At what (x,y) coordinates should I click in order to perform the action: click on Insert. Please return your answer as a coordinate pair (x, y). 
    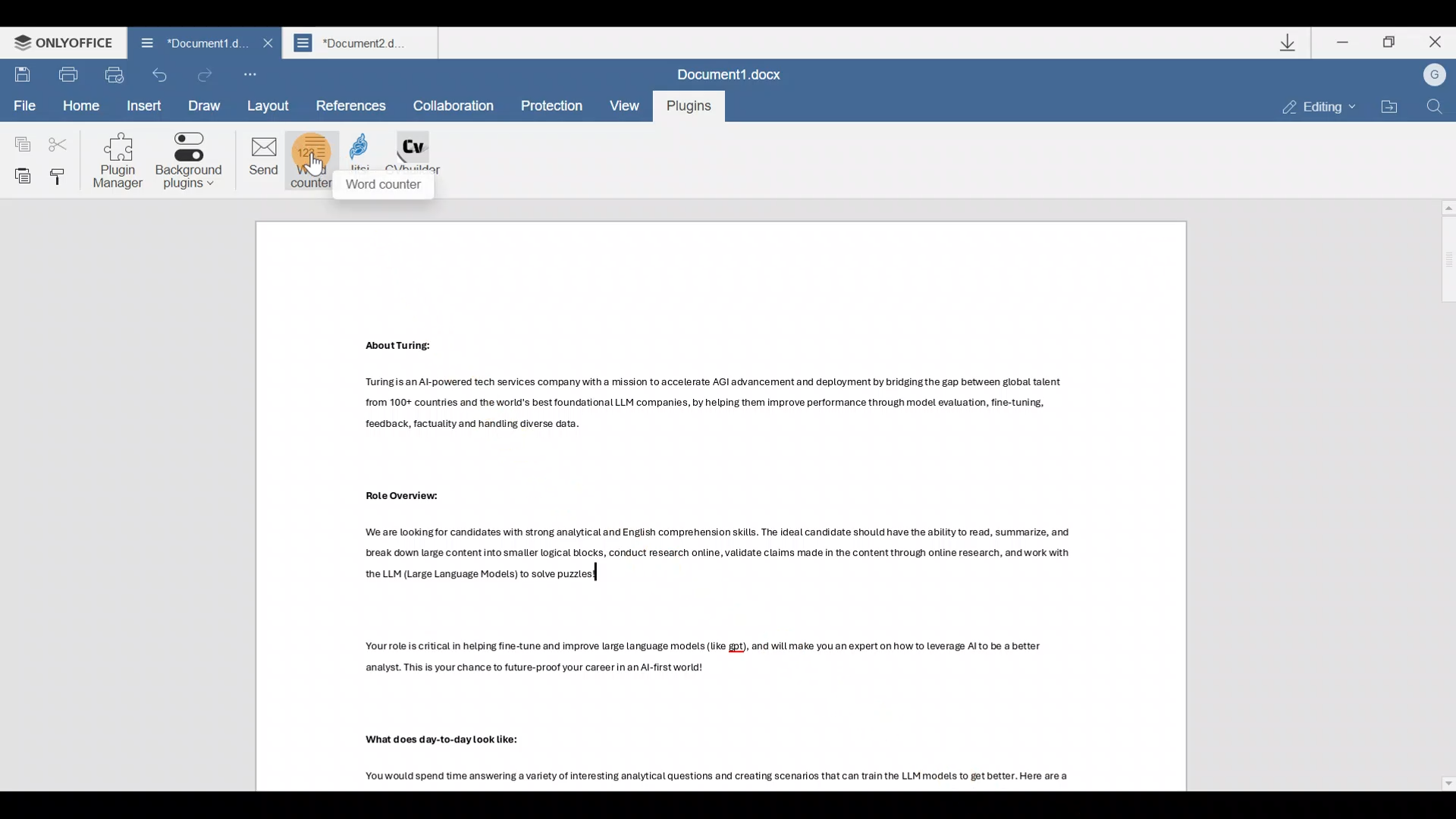
    Looking at the image, I should click on (146, 106).